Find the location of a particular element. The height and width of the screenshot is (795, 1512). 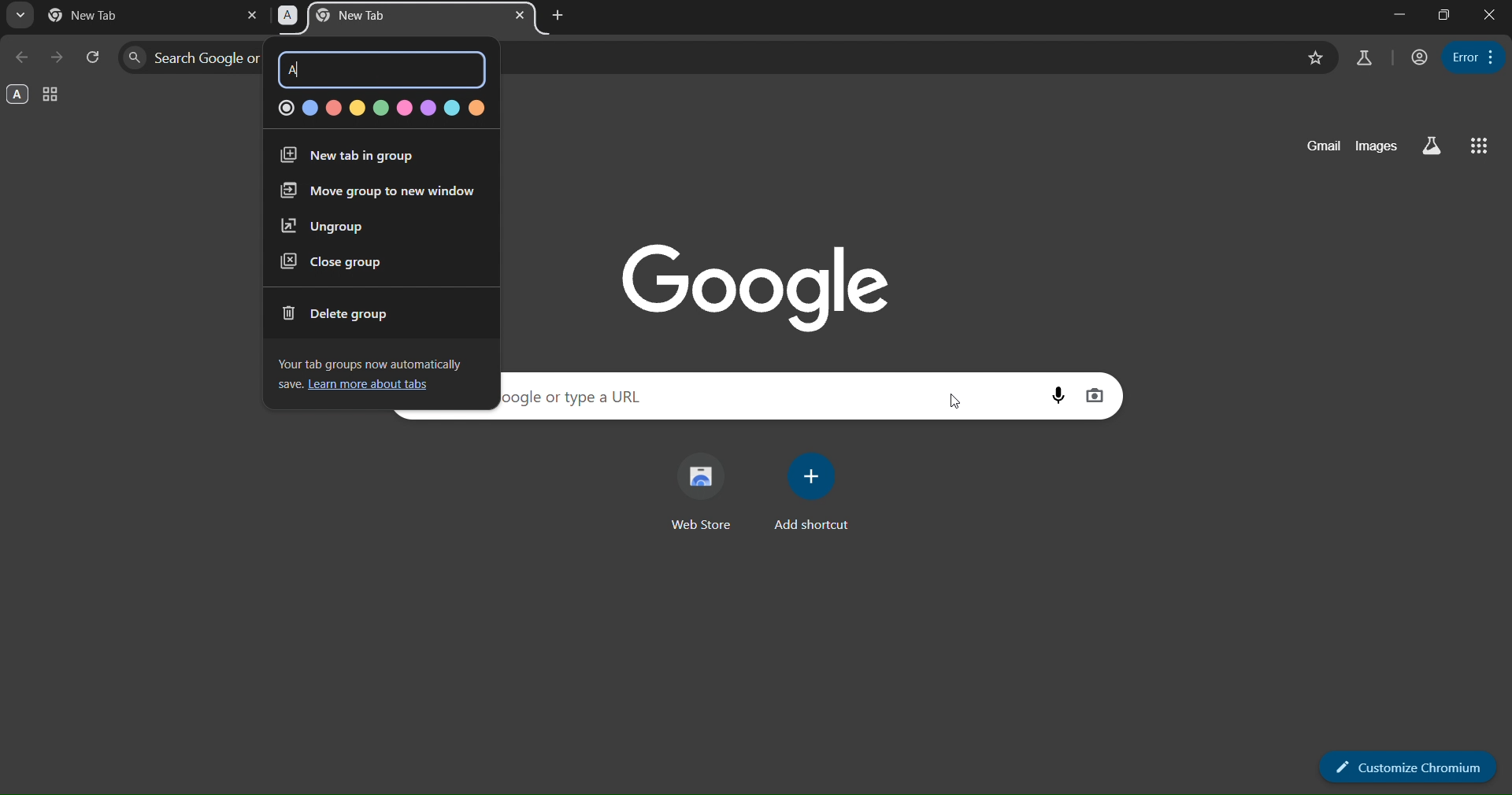

bookmark this page is located at coordinates (1315, 57).